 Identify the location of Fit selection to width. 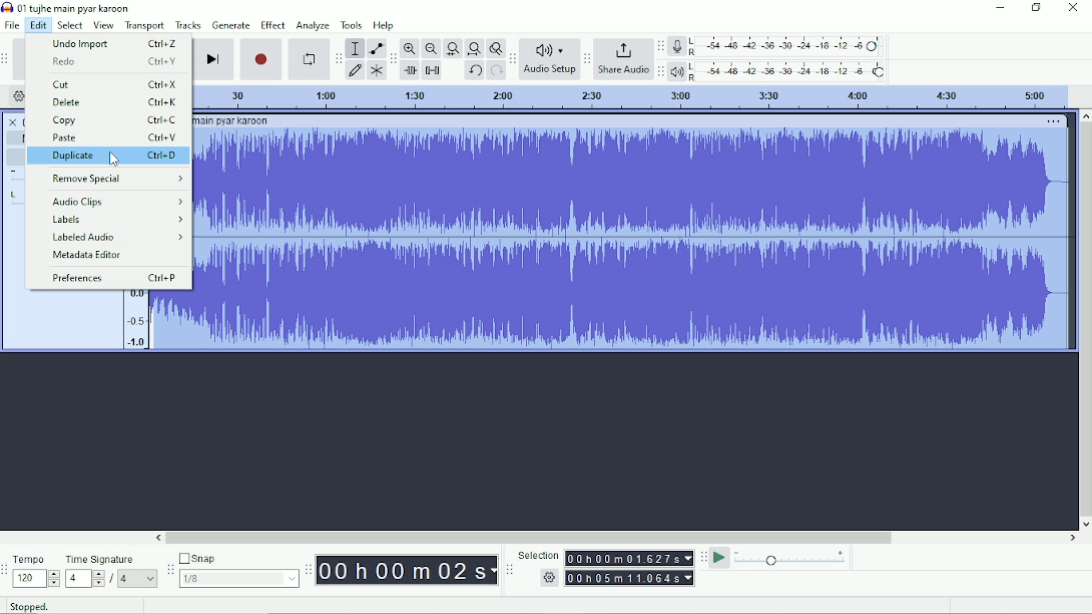
(452, 48).